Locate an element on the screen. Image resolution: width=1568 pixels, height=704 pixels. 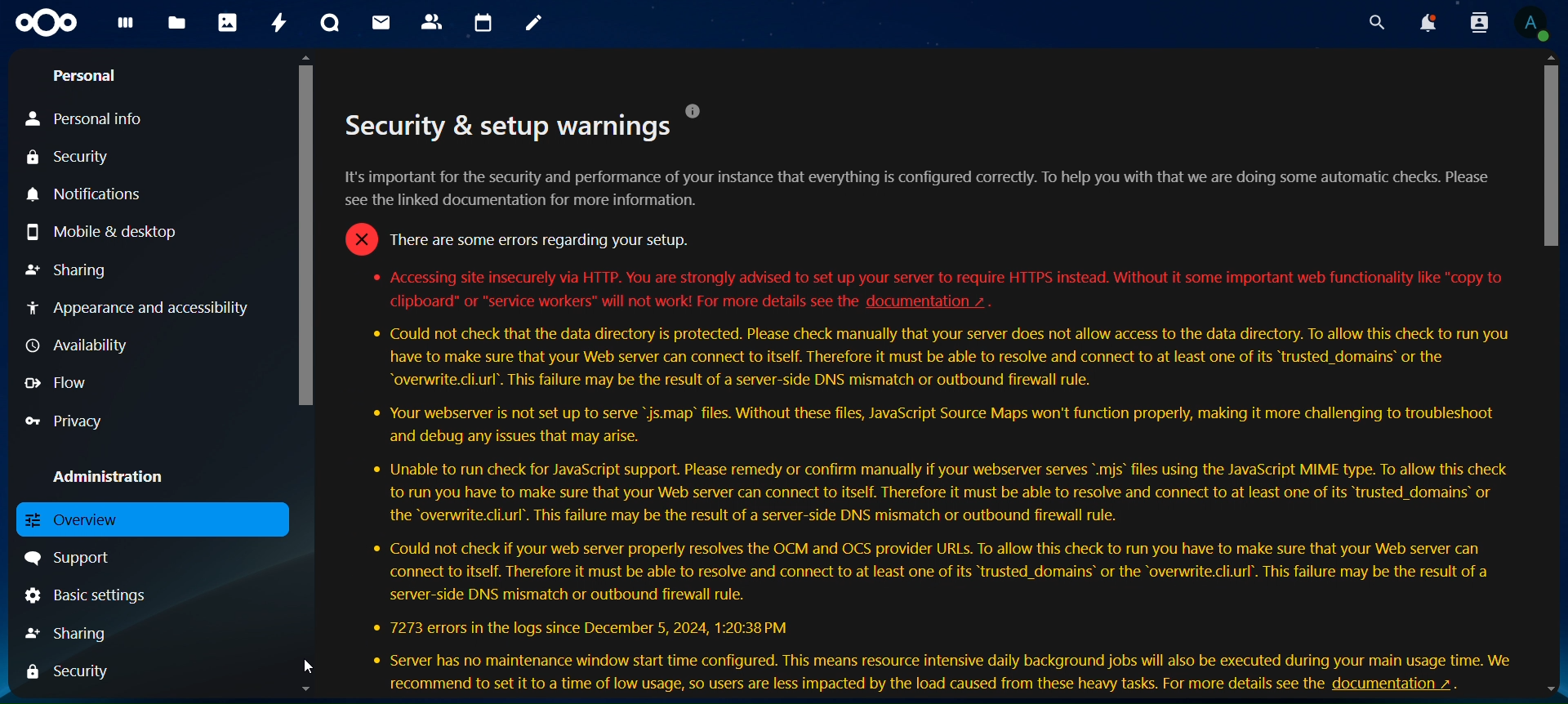
privacy is located at coordinates (65, 423).